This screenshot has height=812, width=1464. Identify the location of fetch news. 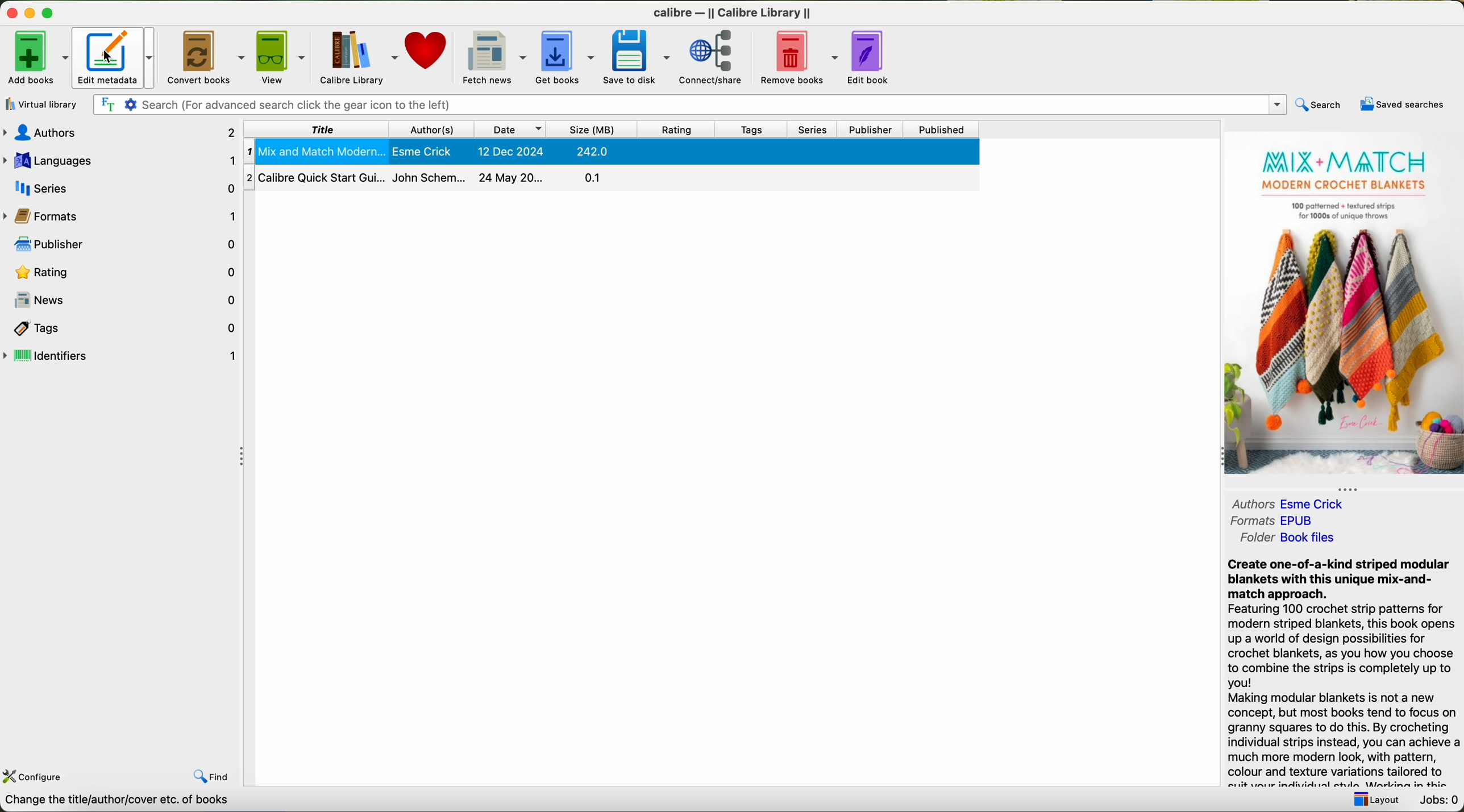
(493, 55).